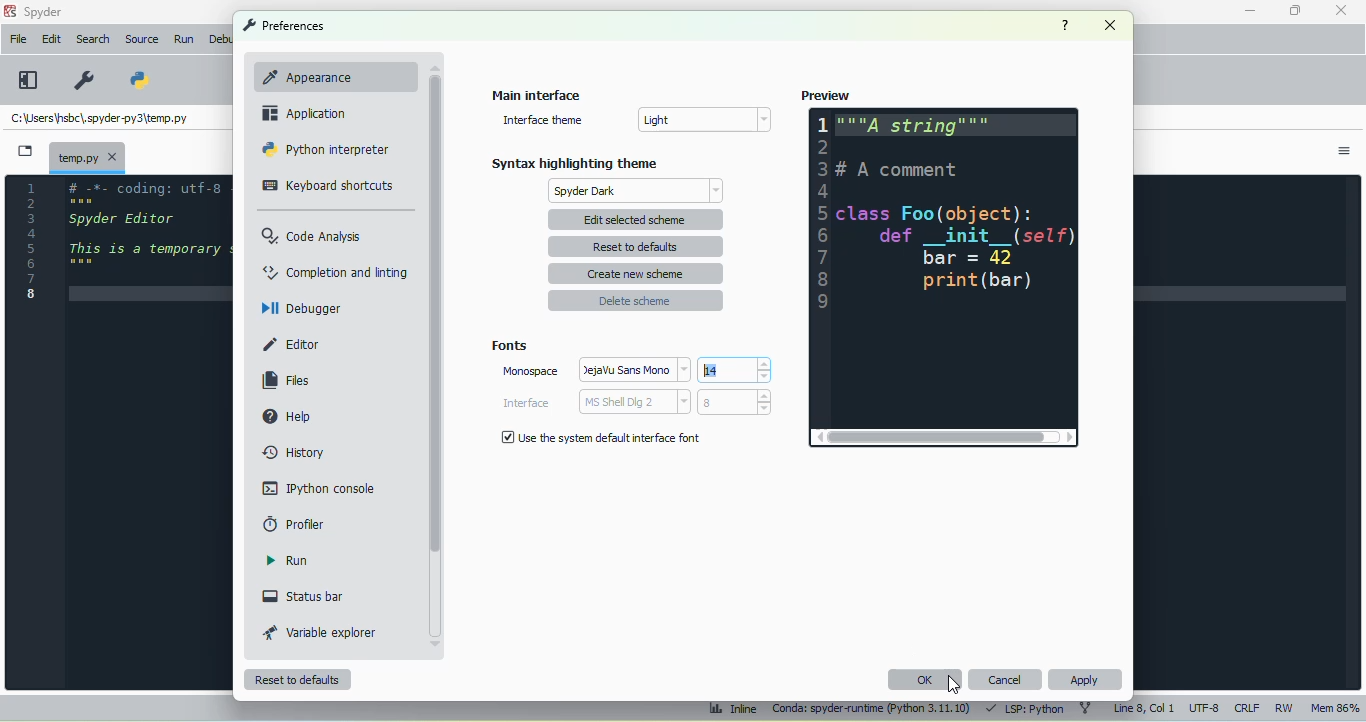 This screenshot has width=1366, height=722. Describe the element at coordinates (1069, 440) in the screenshot. I see `Right` at that location.